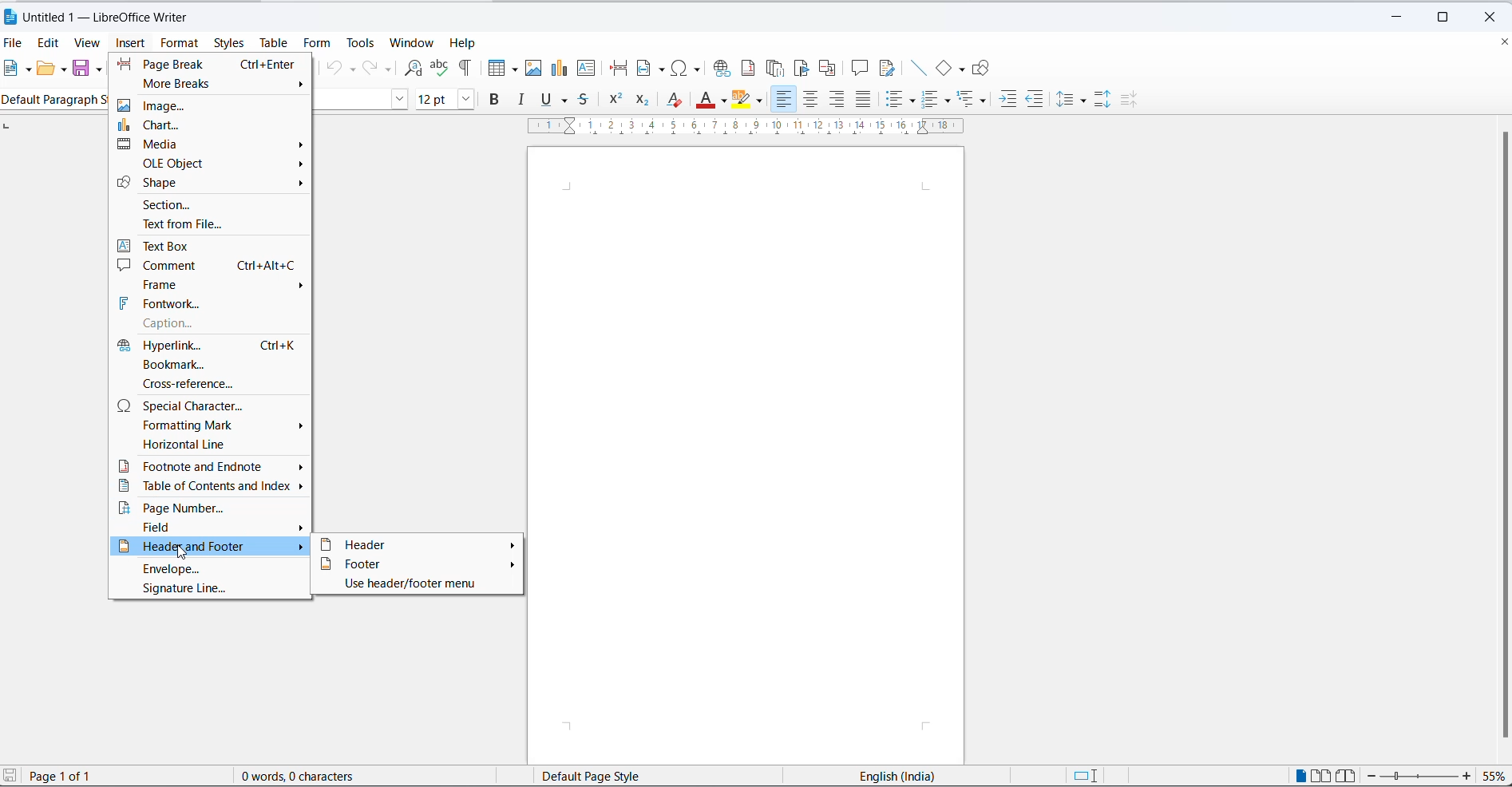  I want to click on tools, so click(362, 43).